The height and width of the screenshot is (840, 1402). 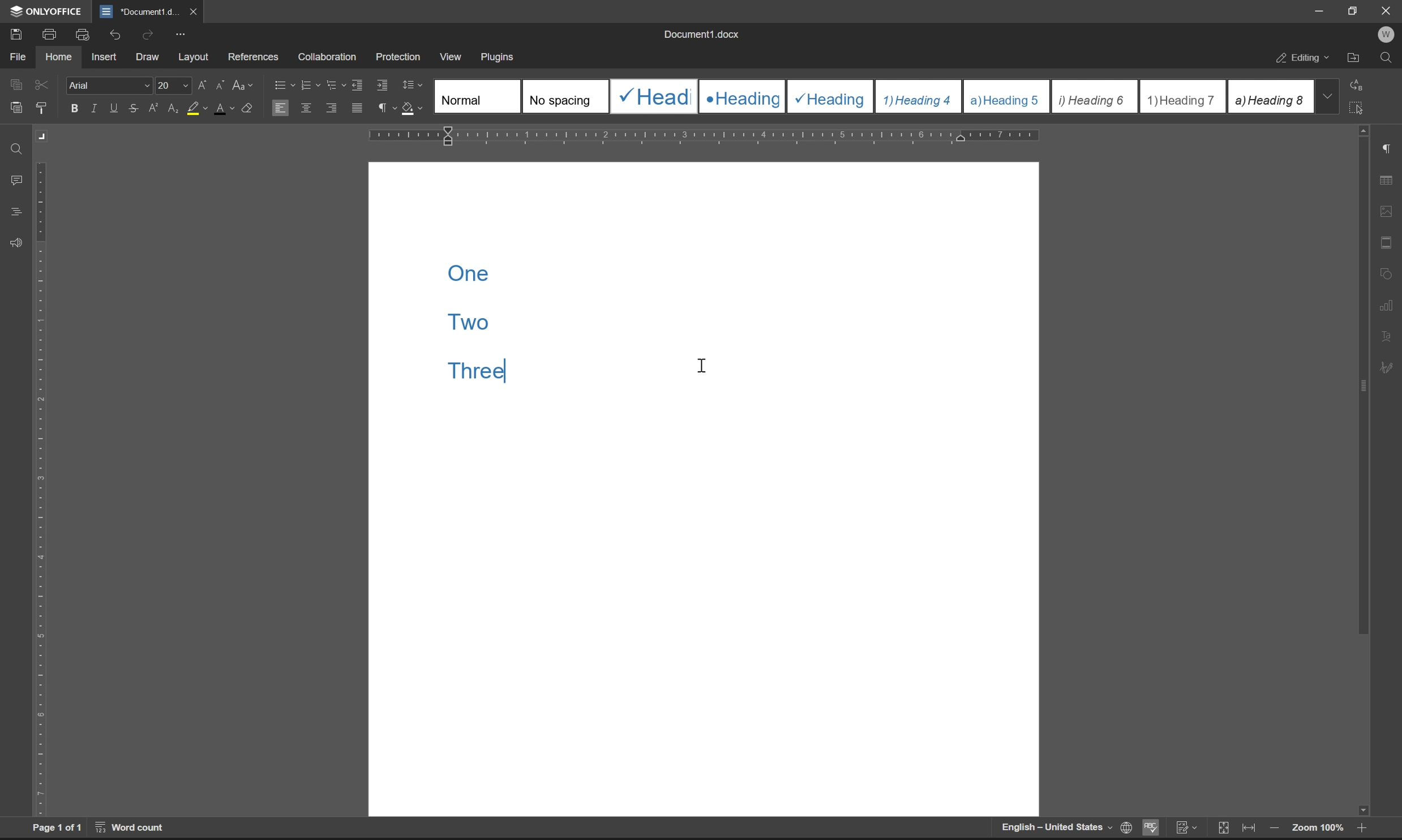 I want to click on ruler, so click(x=705, y=136).